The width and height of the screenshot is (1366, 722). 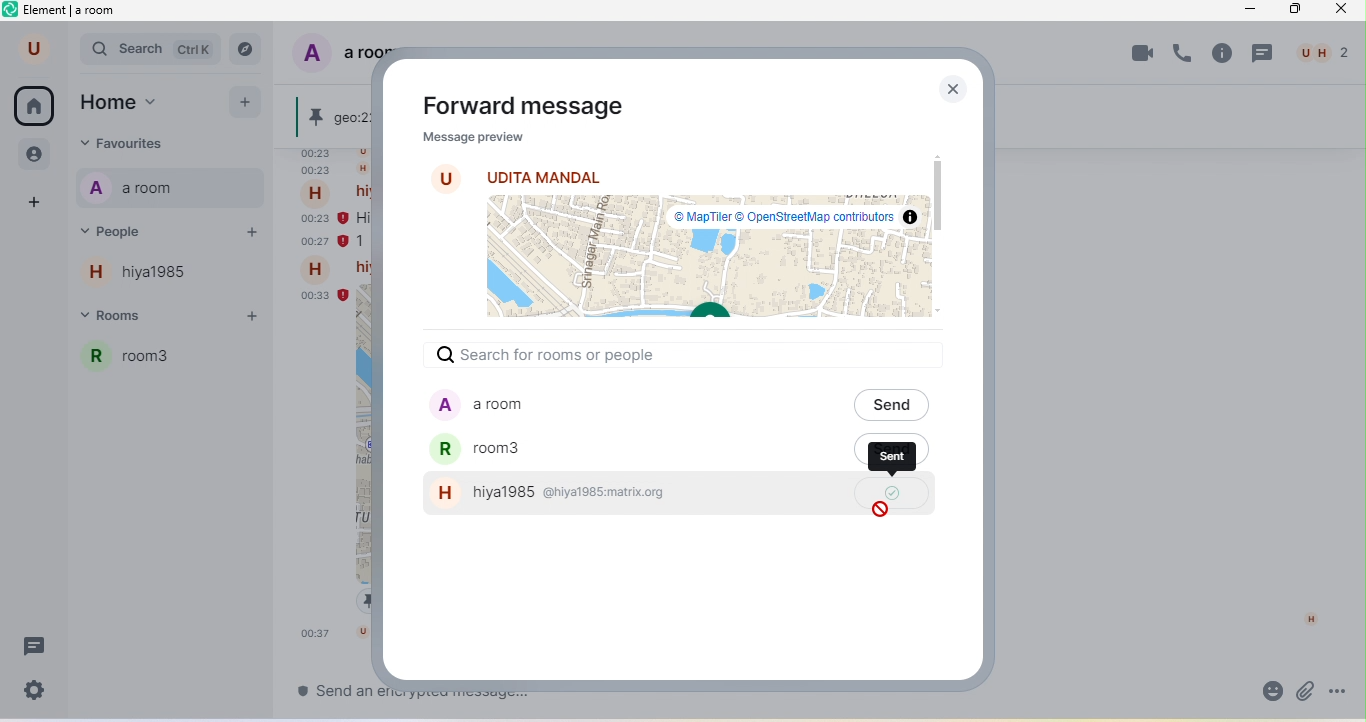 What do you see at coordinates (631, 450) in the screenshot?
I see `room 3` at bounding box center [631, 450].